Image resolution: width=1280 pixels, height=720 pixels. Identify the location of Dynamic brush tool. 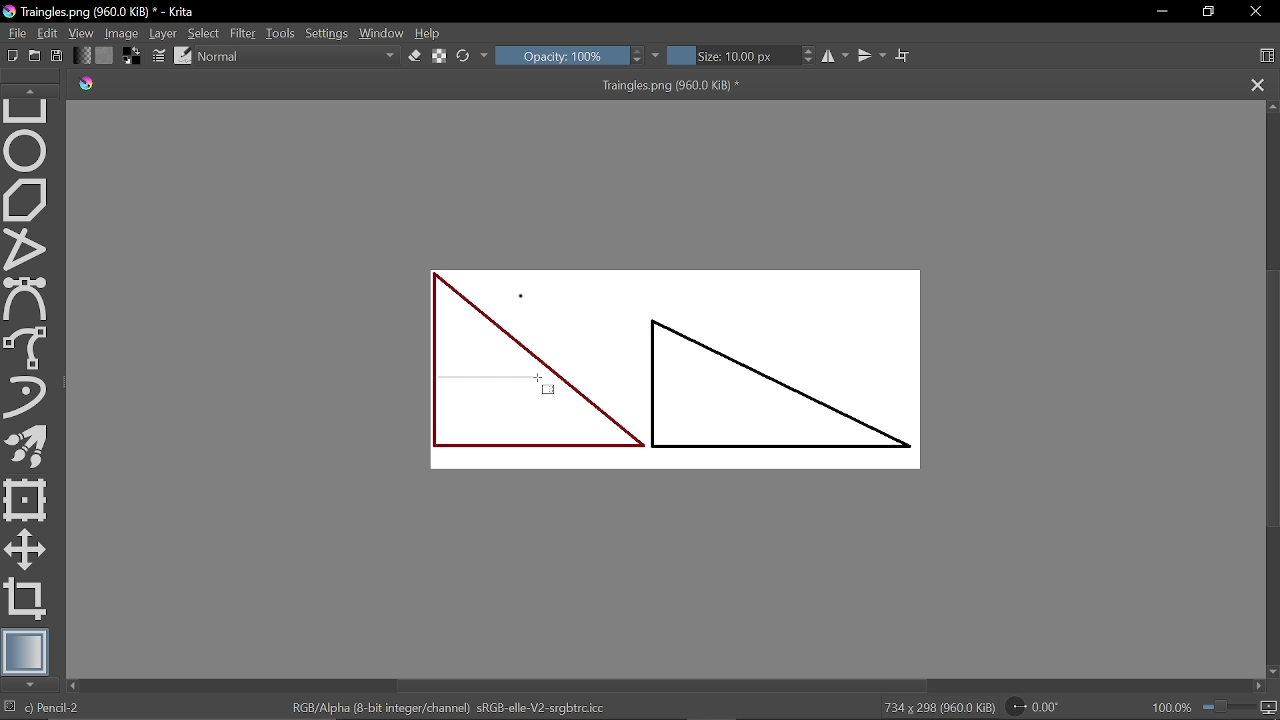
(26, 397).